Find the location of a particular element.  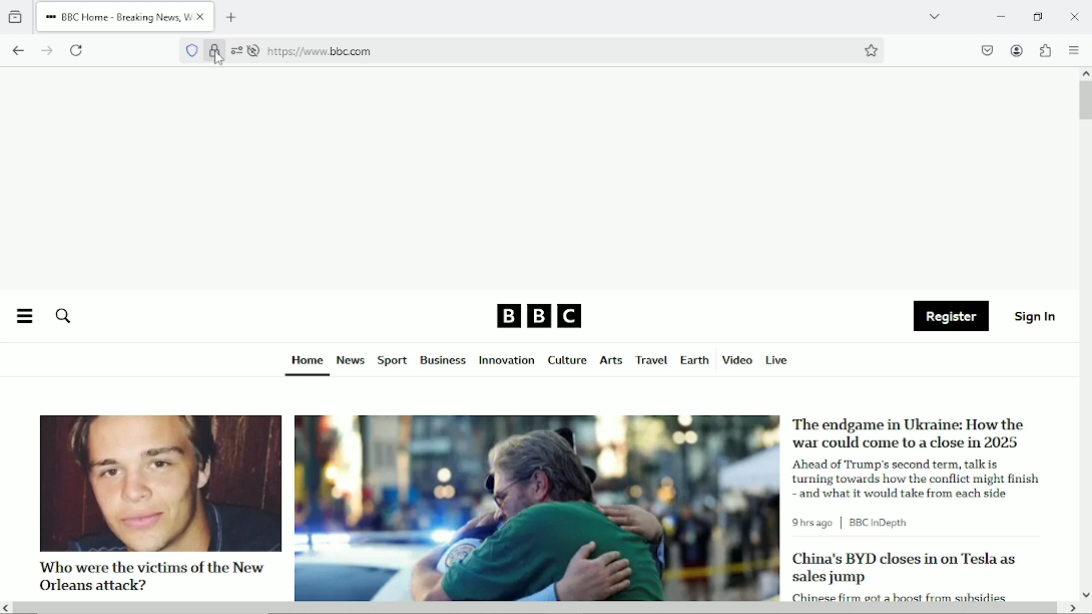

Ahead of Trump's second term, talk is turning towards how the conflict might finish and what it would take from each side is located at coordinates (919, 478).